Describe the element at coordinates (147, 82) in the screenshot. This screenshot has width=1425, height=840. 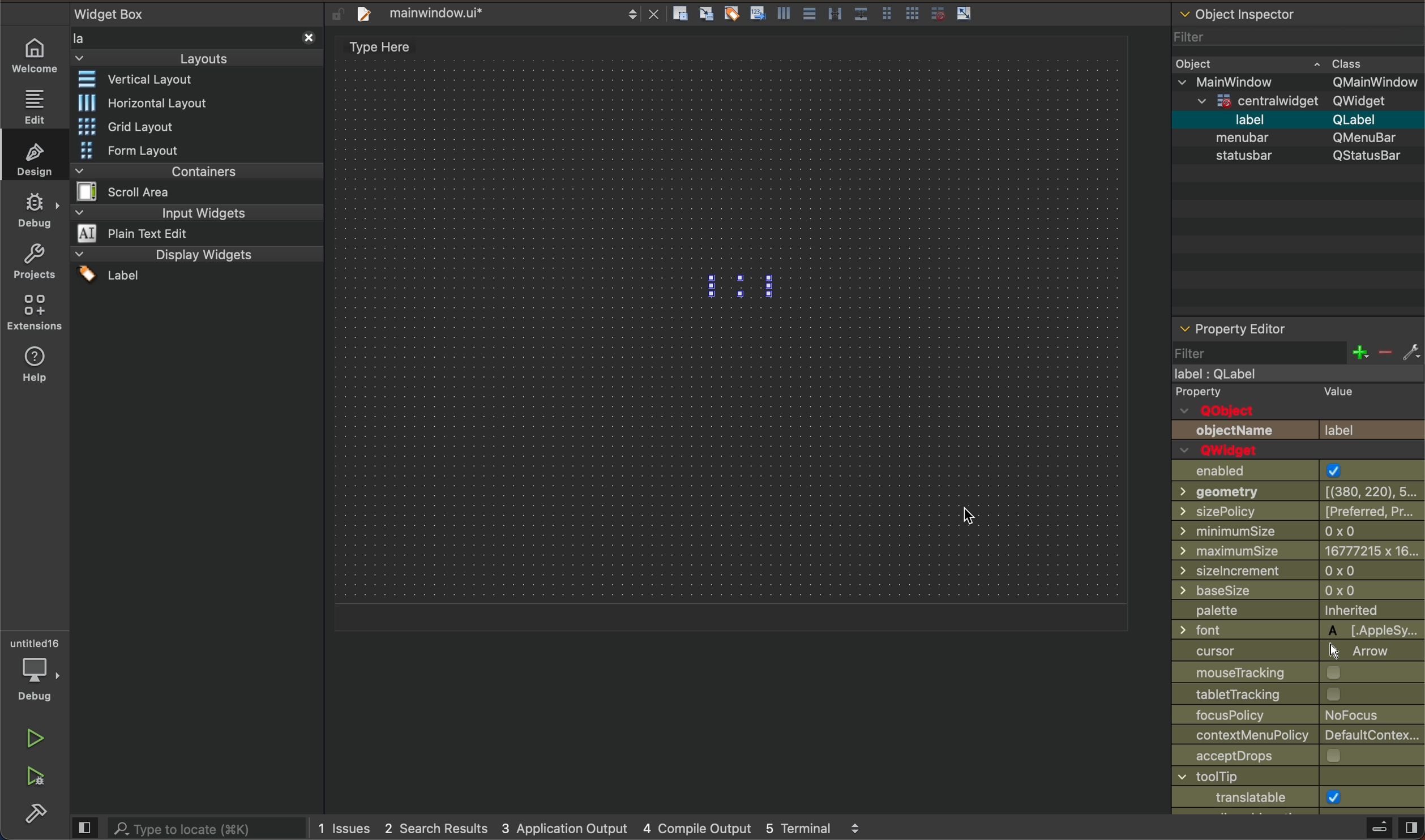
I see `widget layout` at that location.